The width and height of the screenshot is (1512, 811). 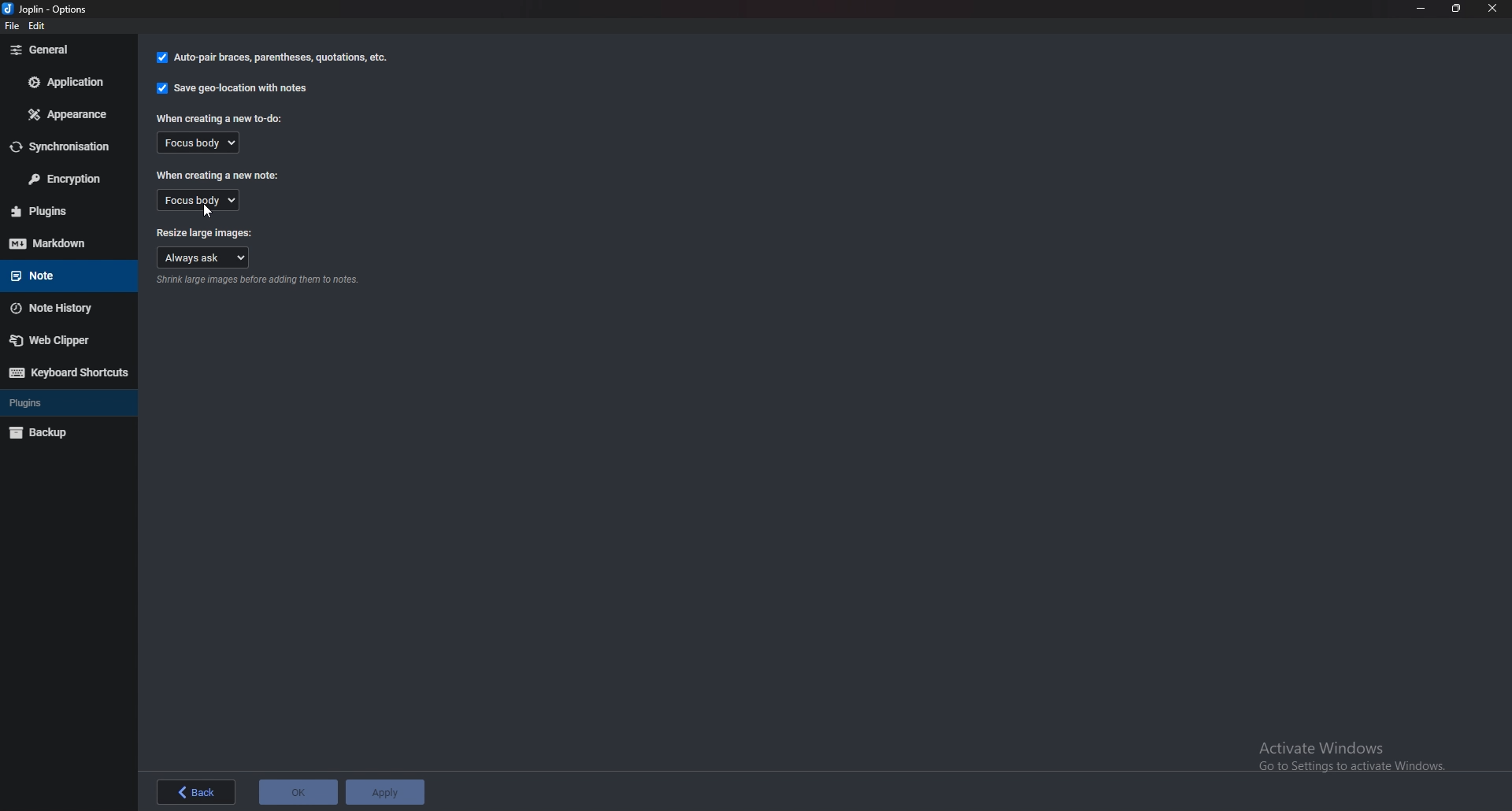 What do you see at coordinates (61, 274) in the screenshot?
I see `note` at bounding box center [61, 274].